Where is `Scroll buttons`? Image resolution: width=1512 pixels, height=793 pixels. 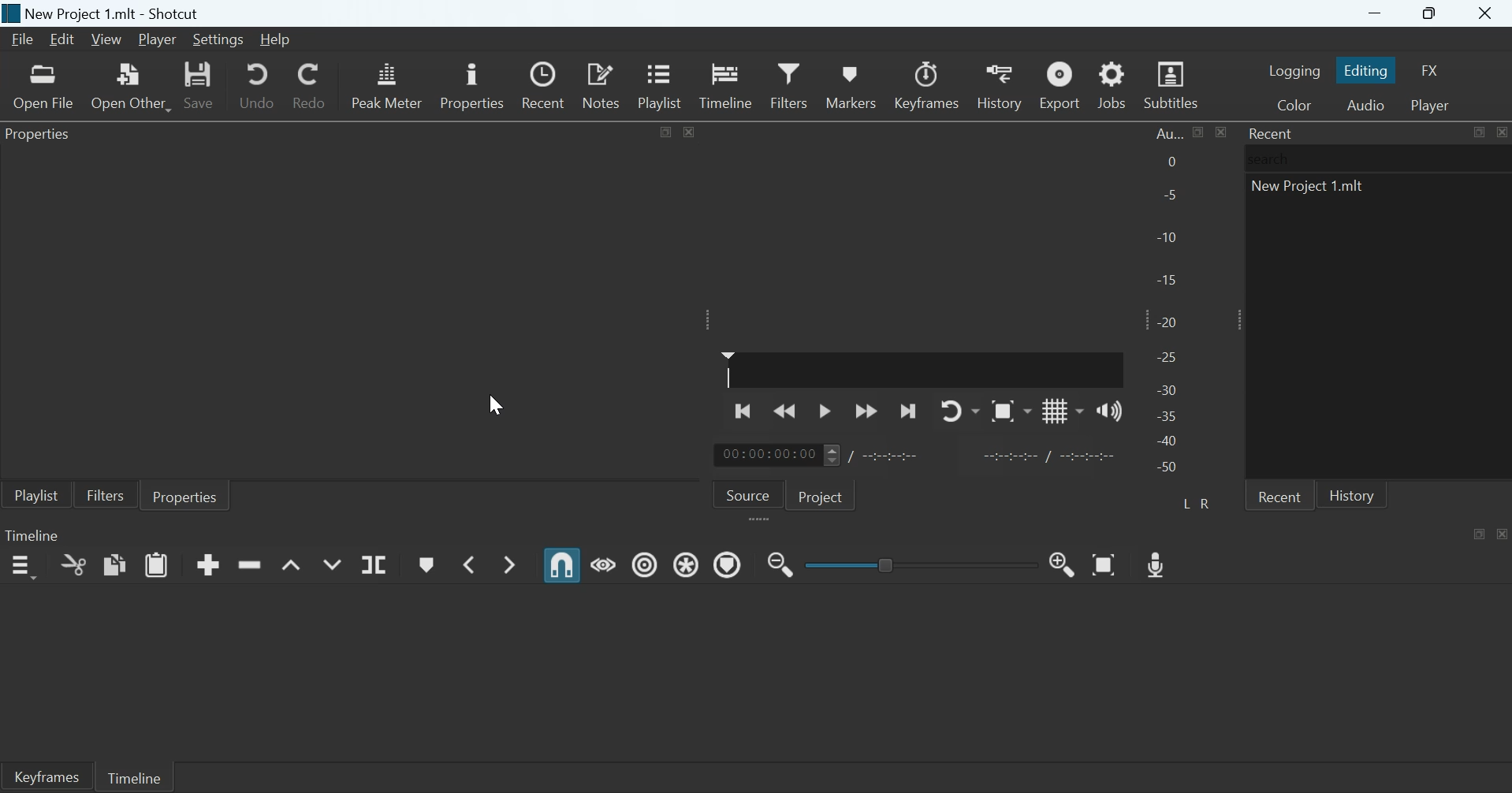 Scroll buttons is located at coordinates (831, 455).